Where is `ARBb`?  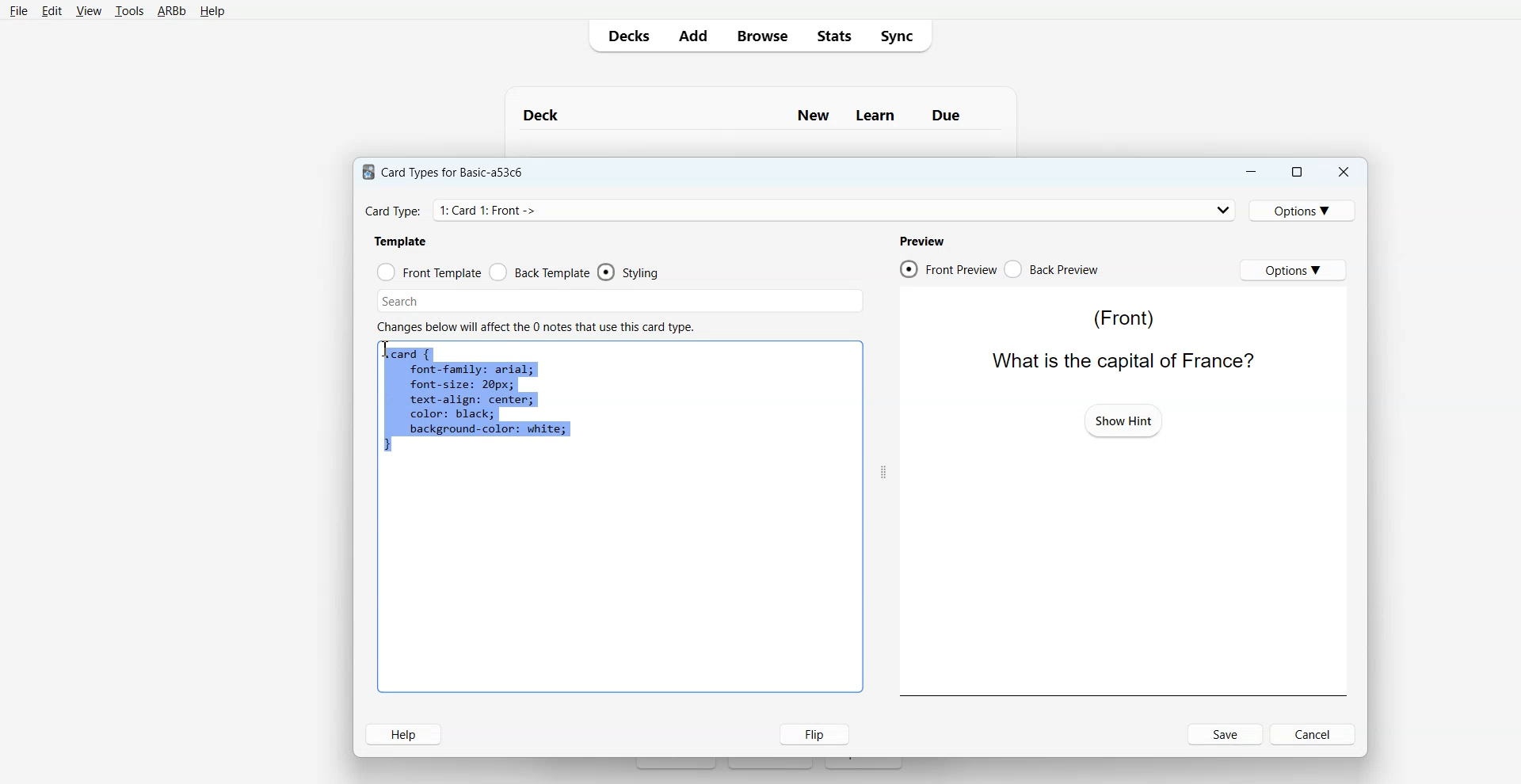 ARBb is located at coordinates (170, 12).